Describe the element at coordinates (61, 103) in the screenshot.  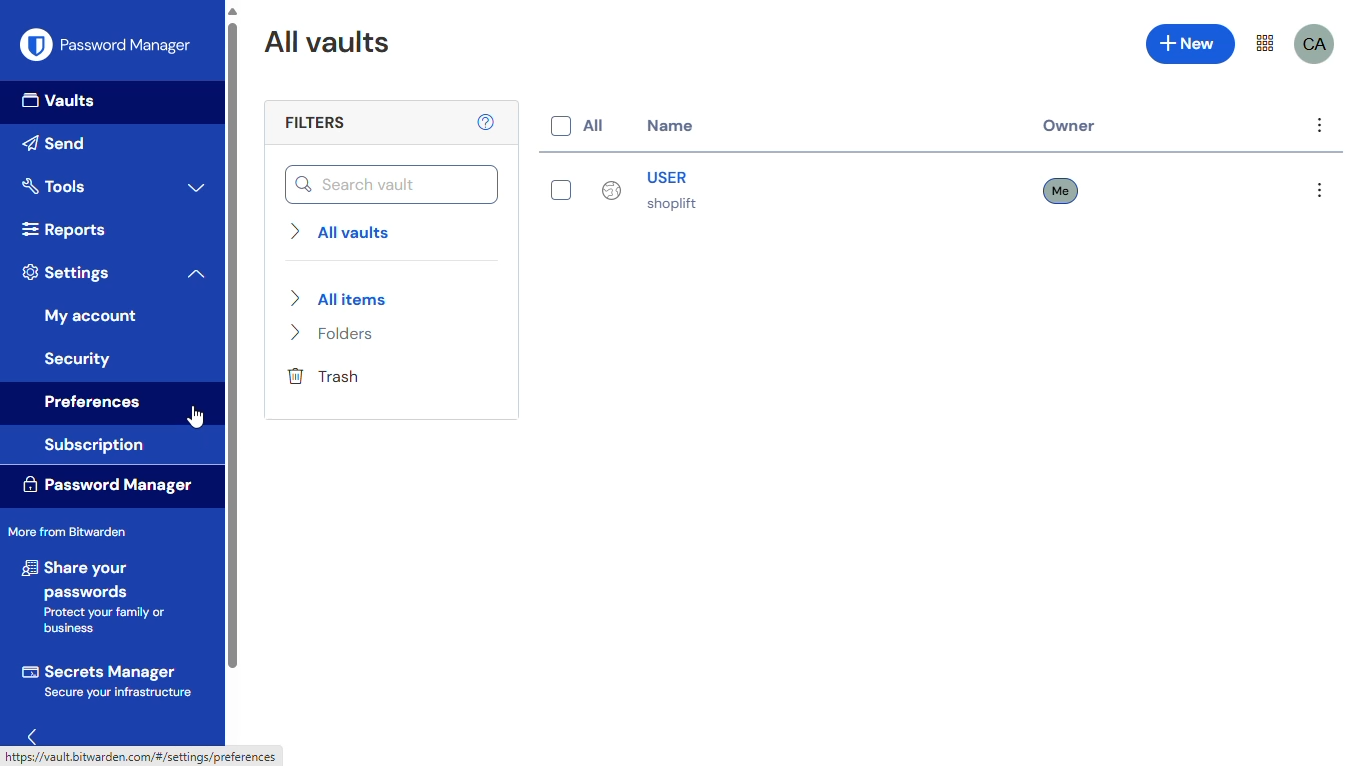
I see `vaults` at that location.